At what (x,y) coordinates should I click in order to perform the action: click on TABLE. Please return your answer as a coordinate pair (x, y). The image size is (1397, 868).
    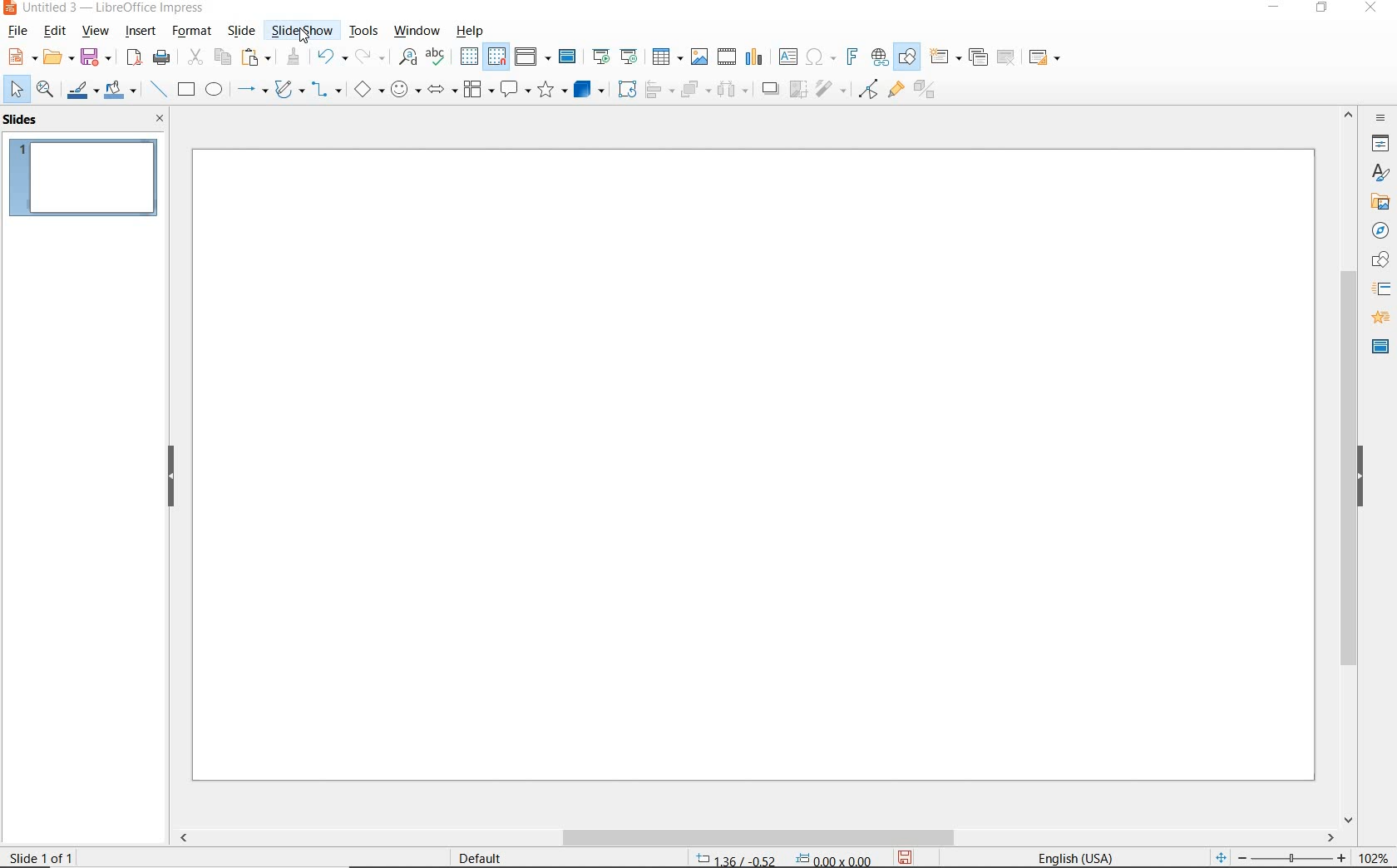
    Looking at the image, I should click on (664, 57).